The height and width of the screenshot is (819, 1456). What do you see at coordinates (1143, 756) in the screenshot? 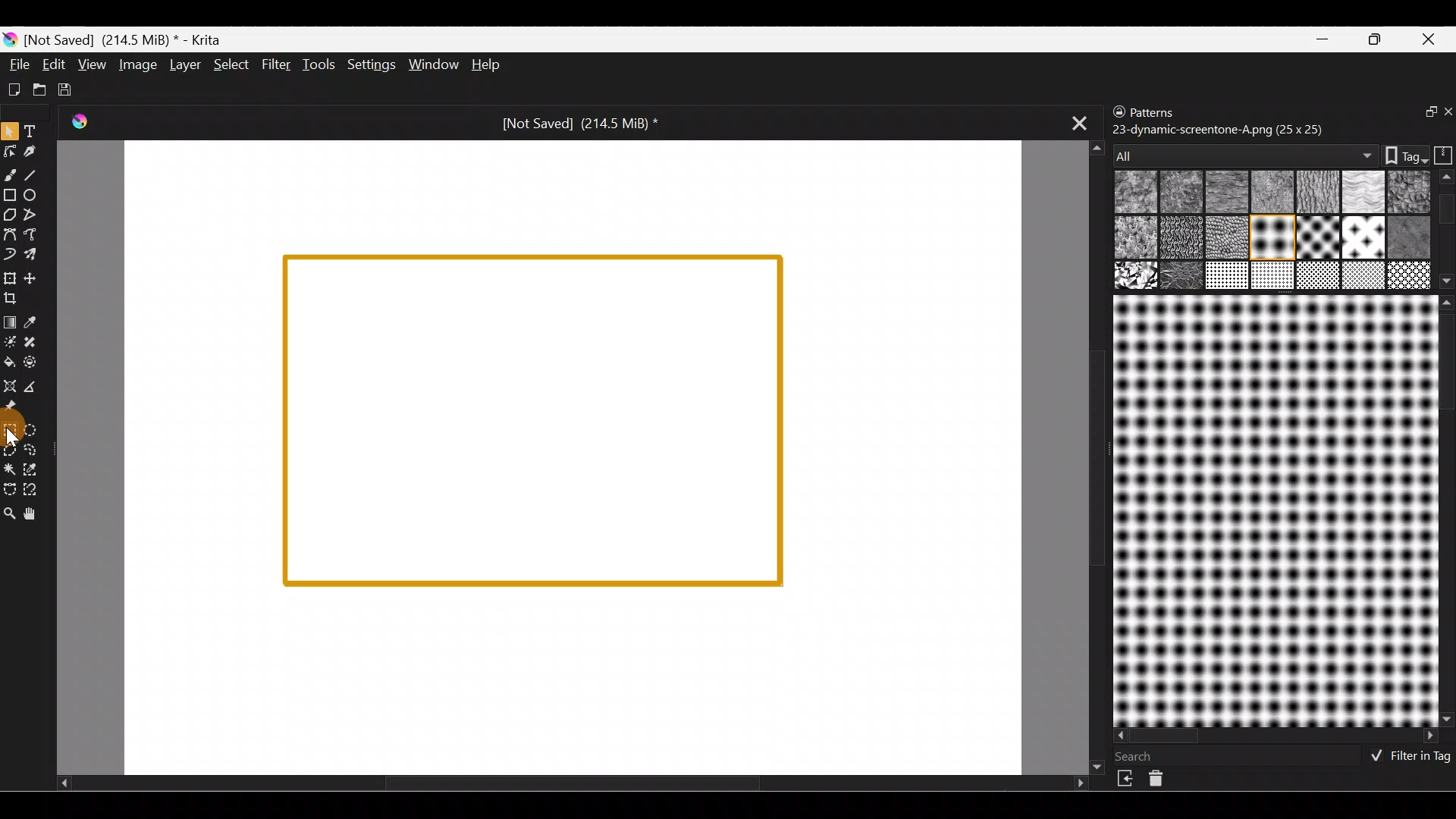
I see `Search` at bounding box center [1143, 756].